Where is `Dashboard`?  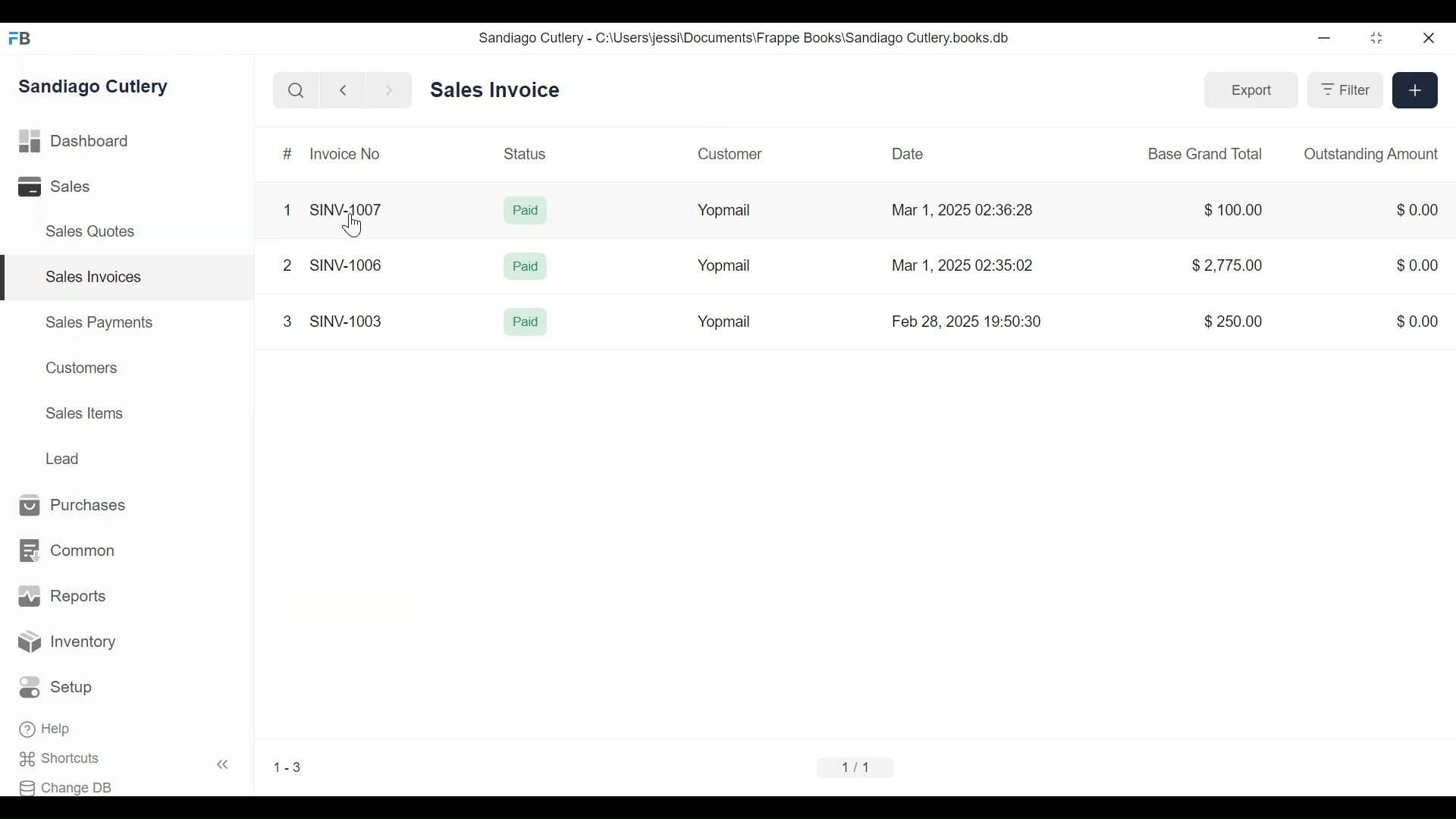
Dashboard is located at coordinates (74, 141).